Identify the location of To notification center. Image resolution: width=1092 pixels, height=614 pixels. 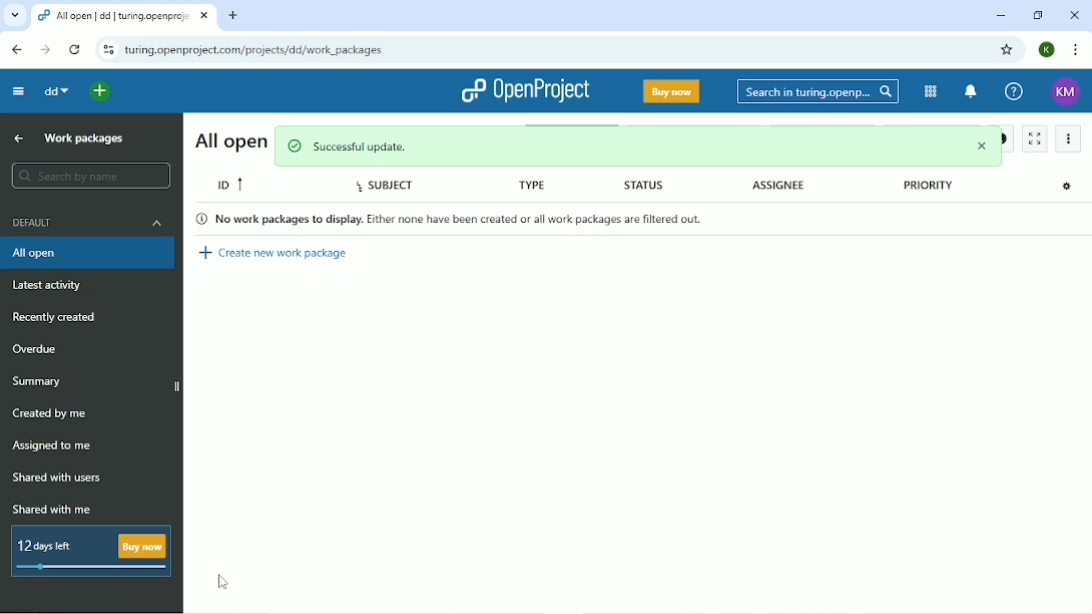
(968, 91).